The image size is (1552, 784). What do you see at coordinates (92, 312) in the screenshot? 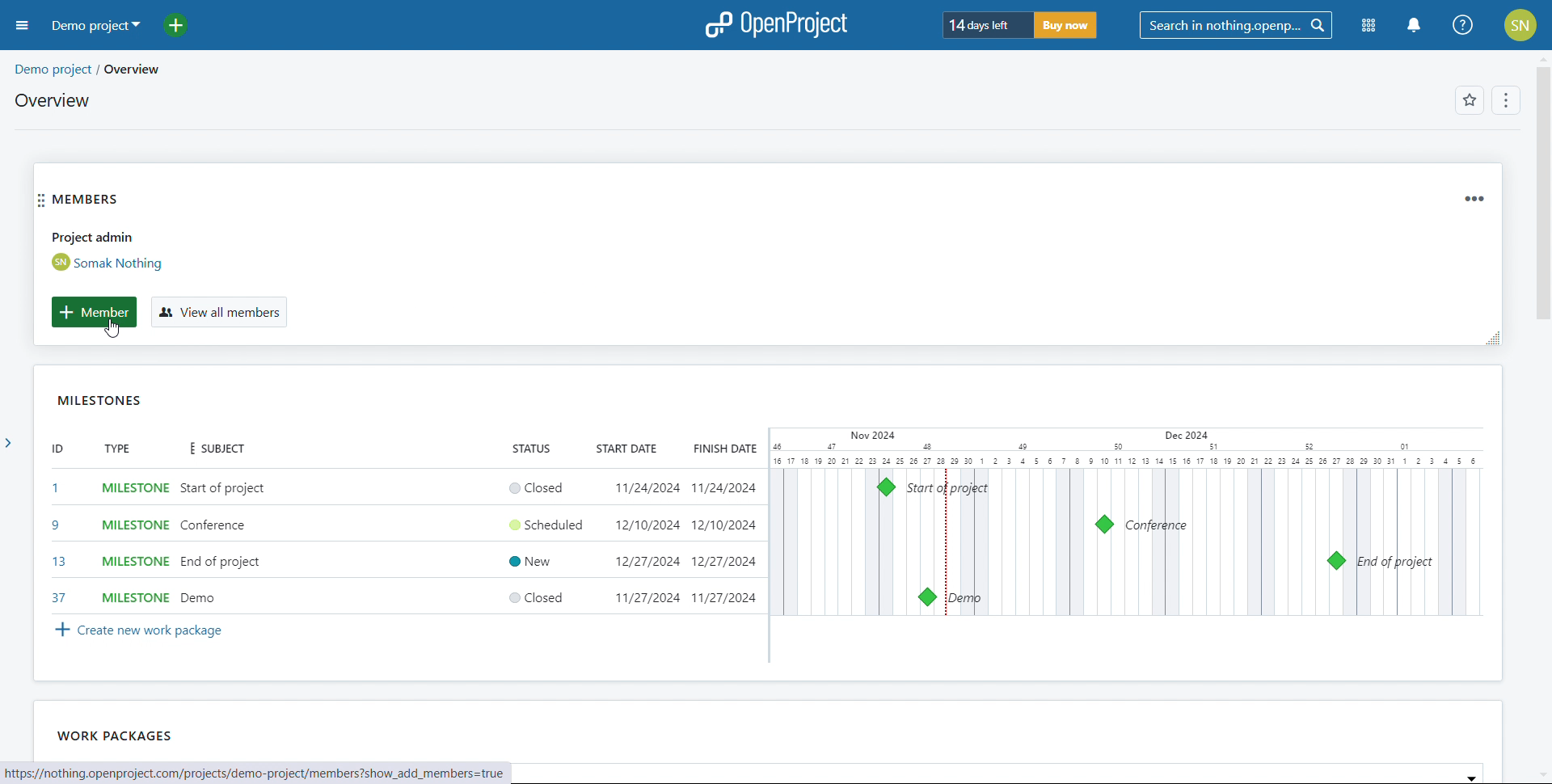
I see `member` at bounding box center [92, 312].